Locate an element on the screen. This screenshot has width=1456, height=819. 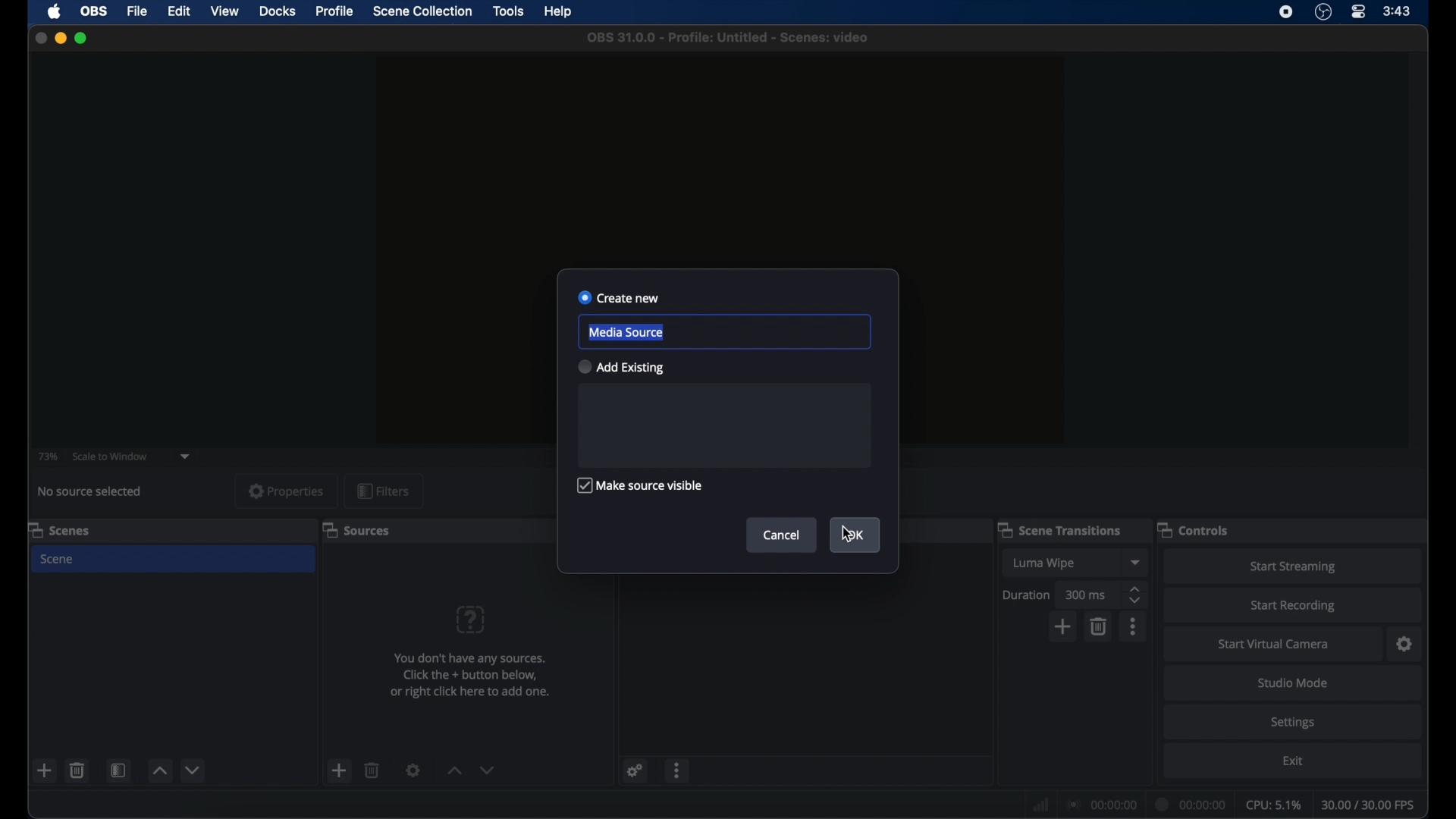
decrement is located at coordinates (487, 770).